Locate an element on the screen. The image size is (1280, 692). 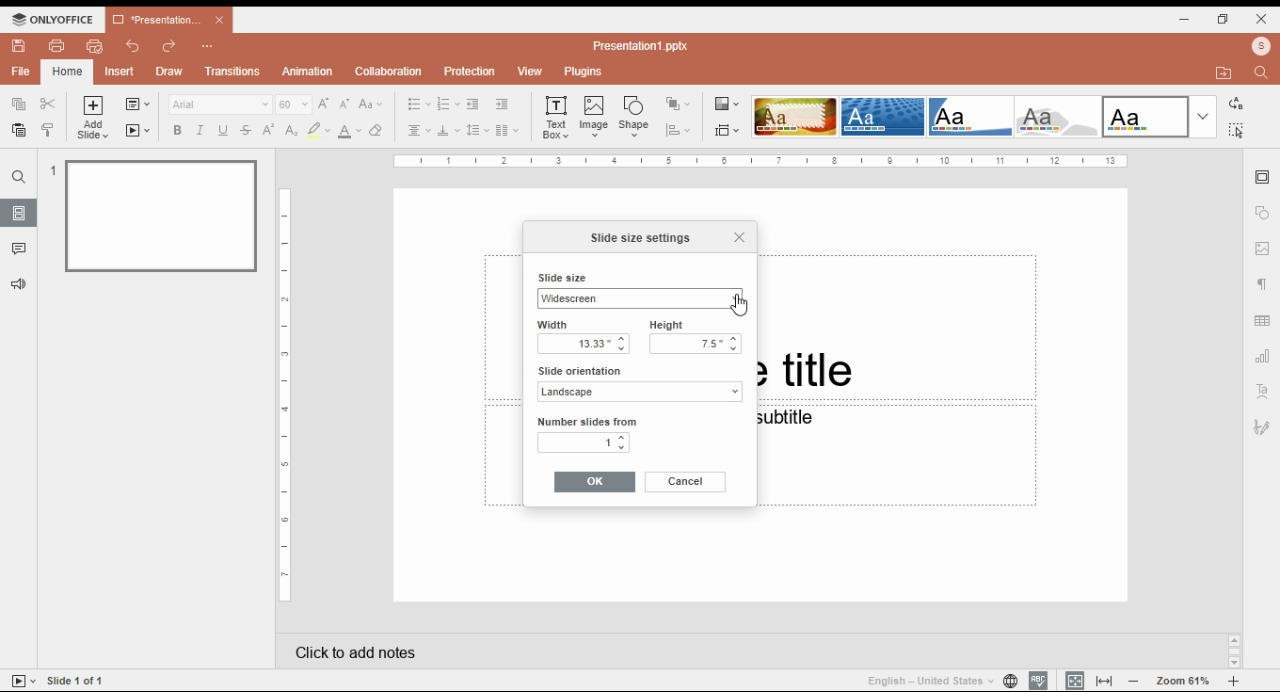
highlight color is located at coordinates (318, 130).